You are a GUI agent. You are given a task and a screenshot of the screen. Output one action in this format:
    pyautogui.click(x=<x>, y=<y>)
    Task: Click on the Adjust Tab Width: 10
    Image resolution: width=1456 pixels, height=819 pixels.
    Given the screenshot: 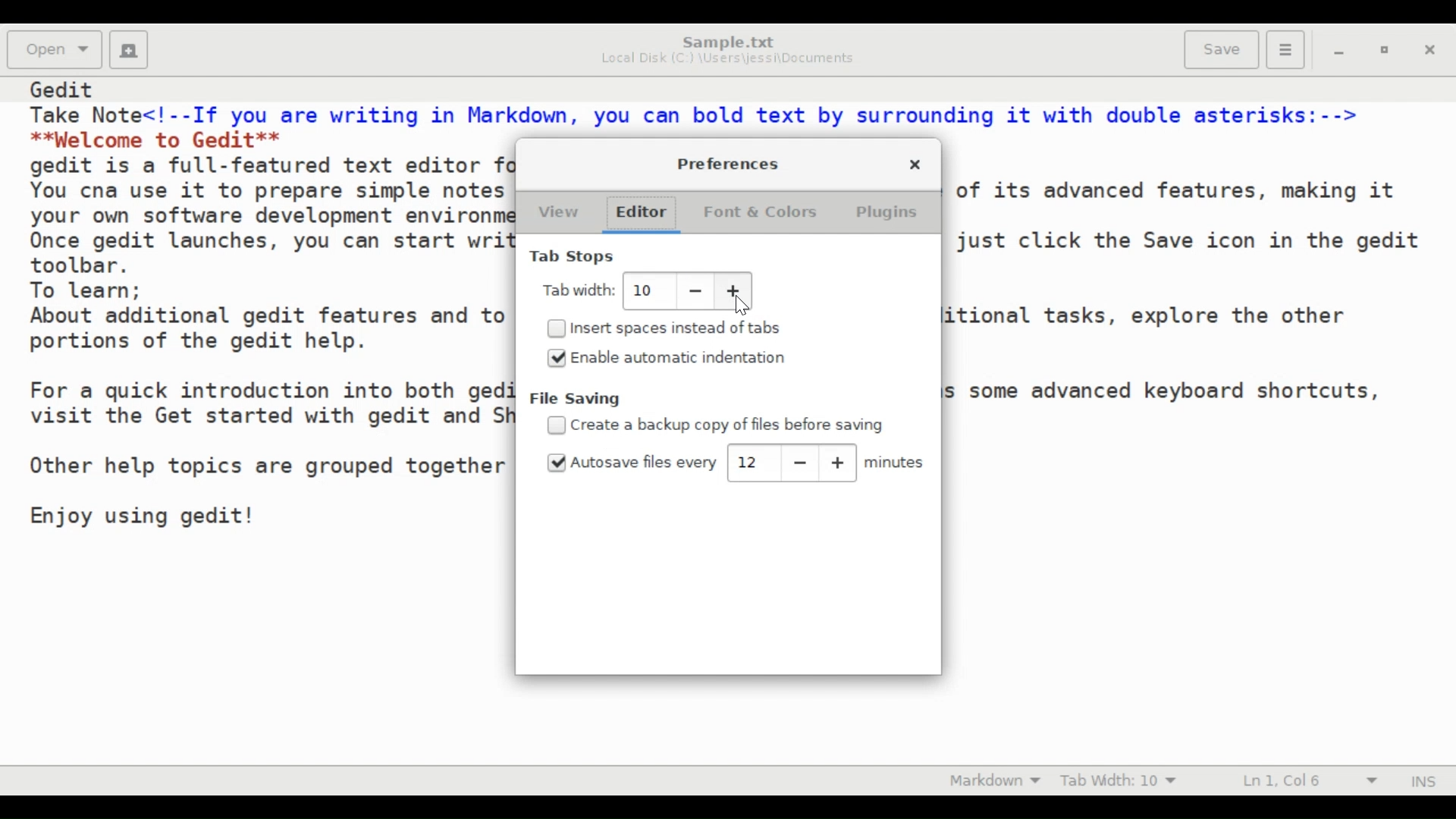 What is the action you would take?
    pyautogui.click(x=645, y=290)
    